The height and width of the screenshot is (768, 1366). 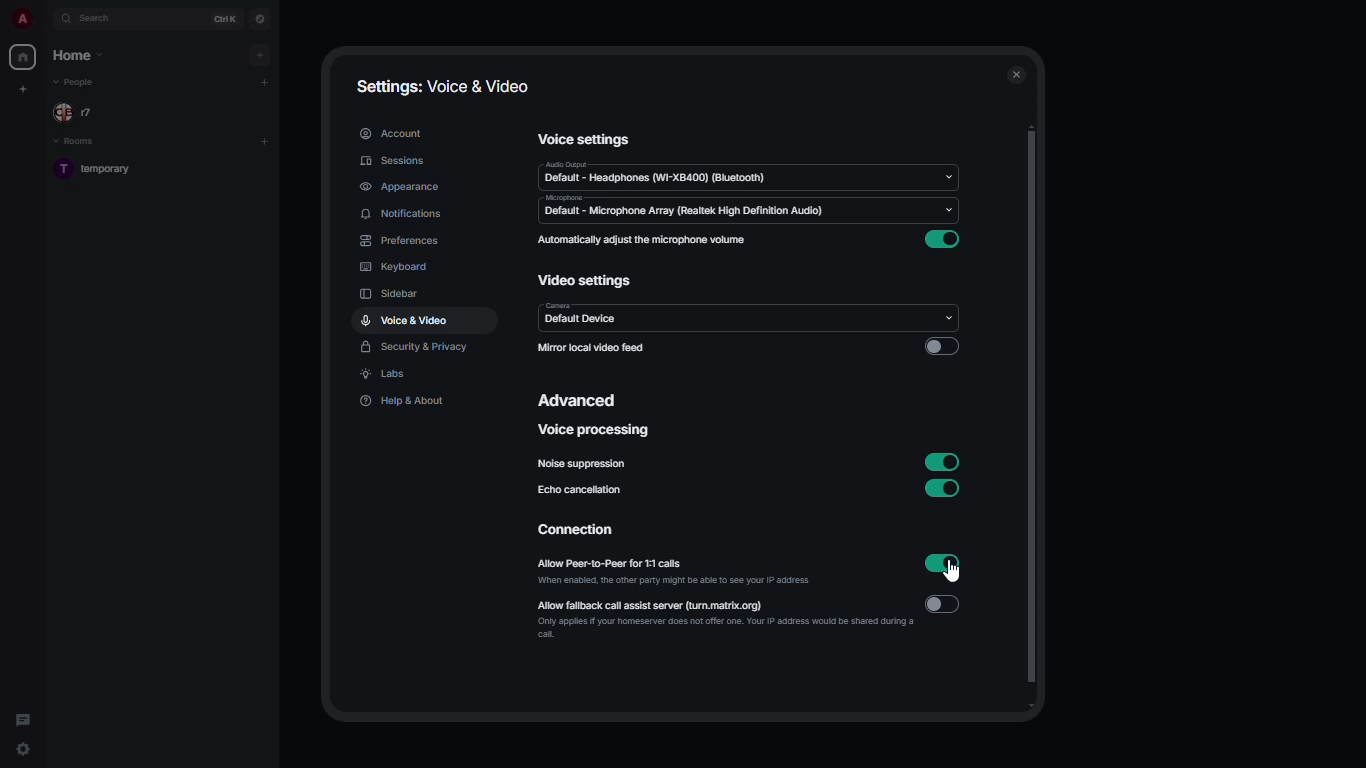 I want to click on rooms, so click(x=77, y=142).